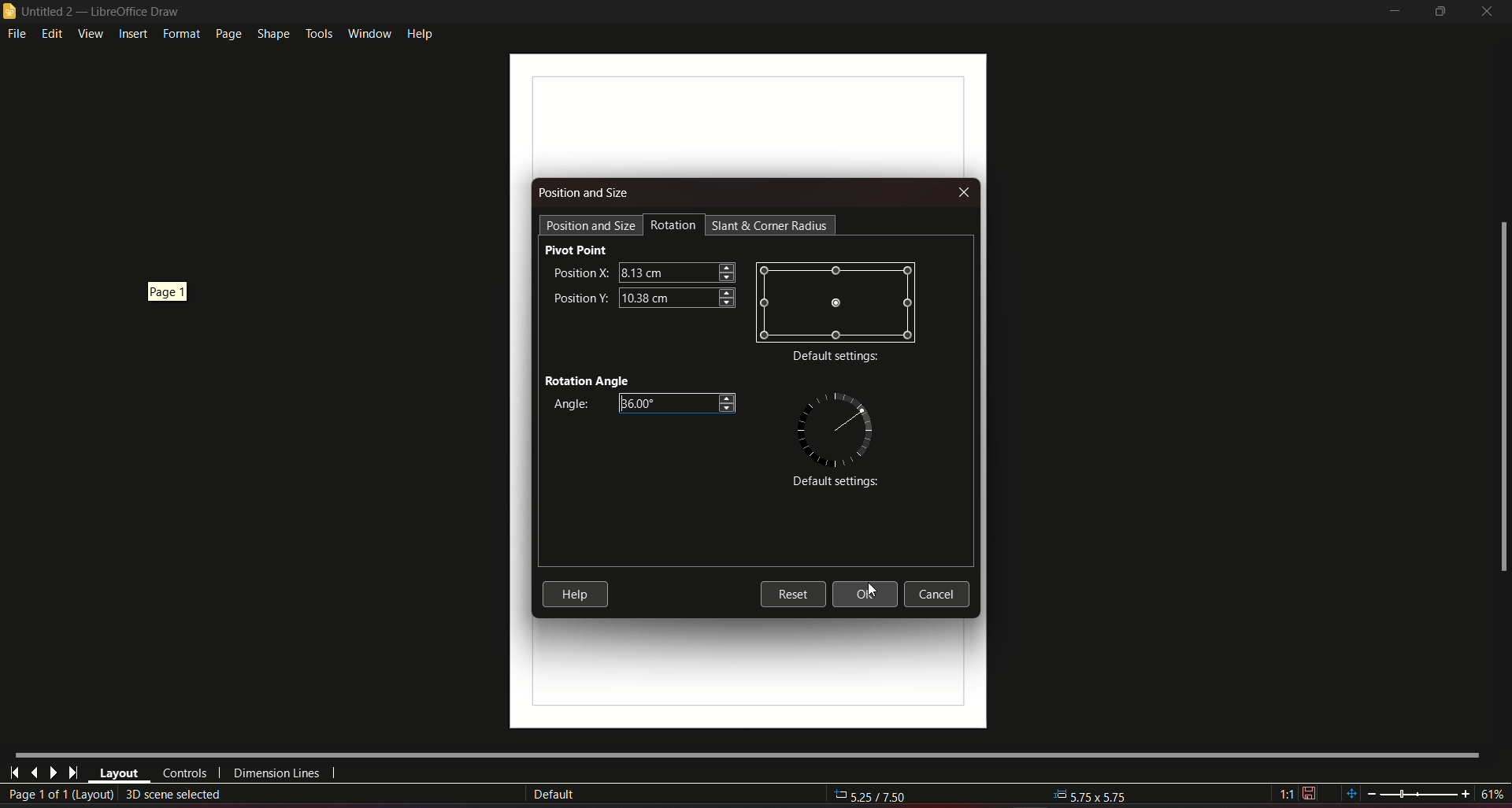  I want to click on Horizontal scroll bar, so click(746, 753).